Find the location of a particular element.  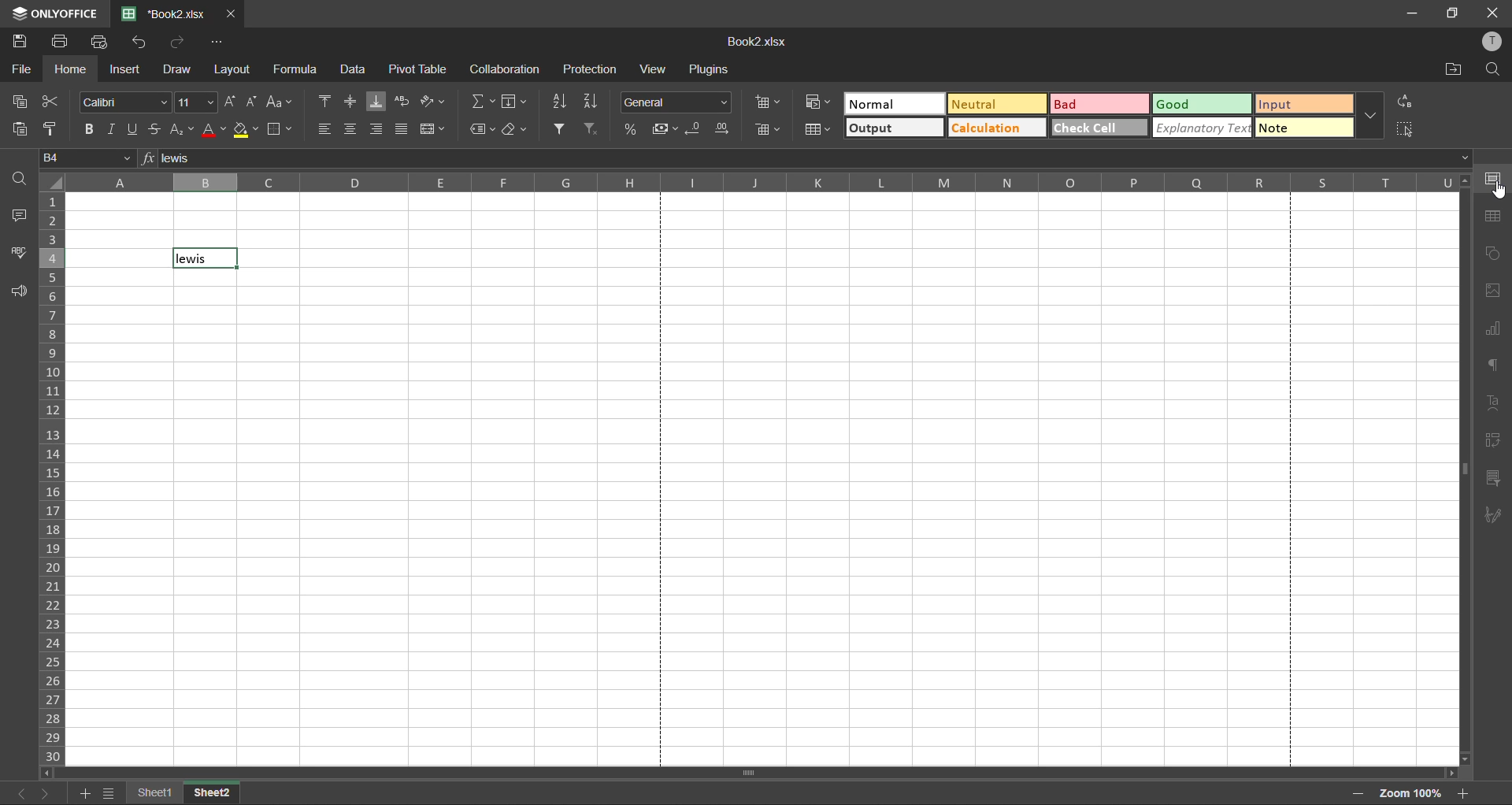

selected cell with text "lewis" is located at coordinates (206, 258).